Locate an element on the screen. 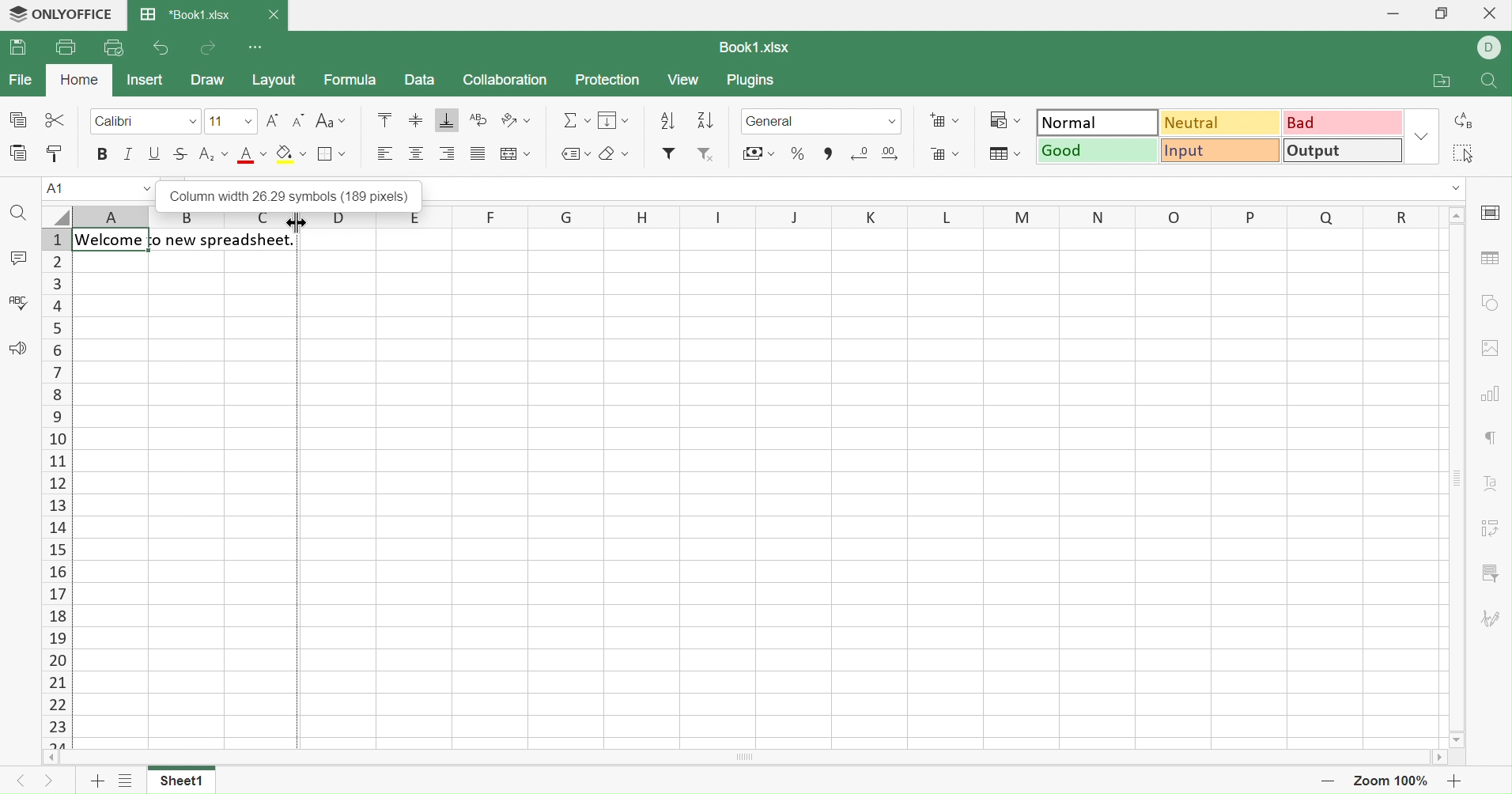 Image resolution: width=1512 pixels, height=794 pixels. Sheet1 is located at coordinates (185, 781).